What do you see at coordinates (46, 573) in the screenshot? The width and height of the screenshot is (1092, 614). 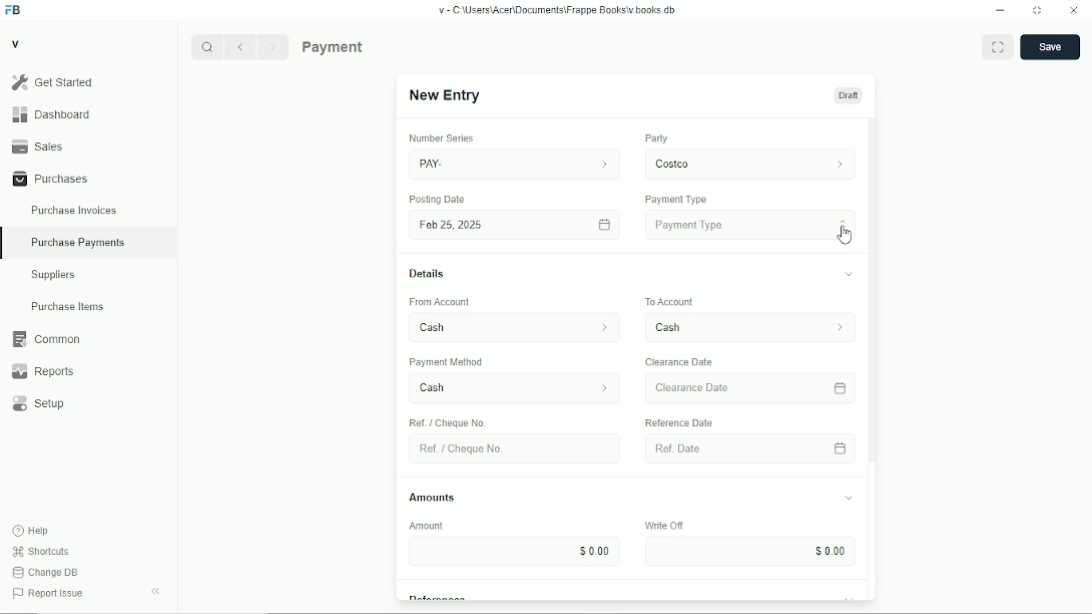 I see `Change DB` at bounding box center [46, 573].